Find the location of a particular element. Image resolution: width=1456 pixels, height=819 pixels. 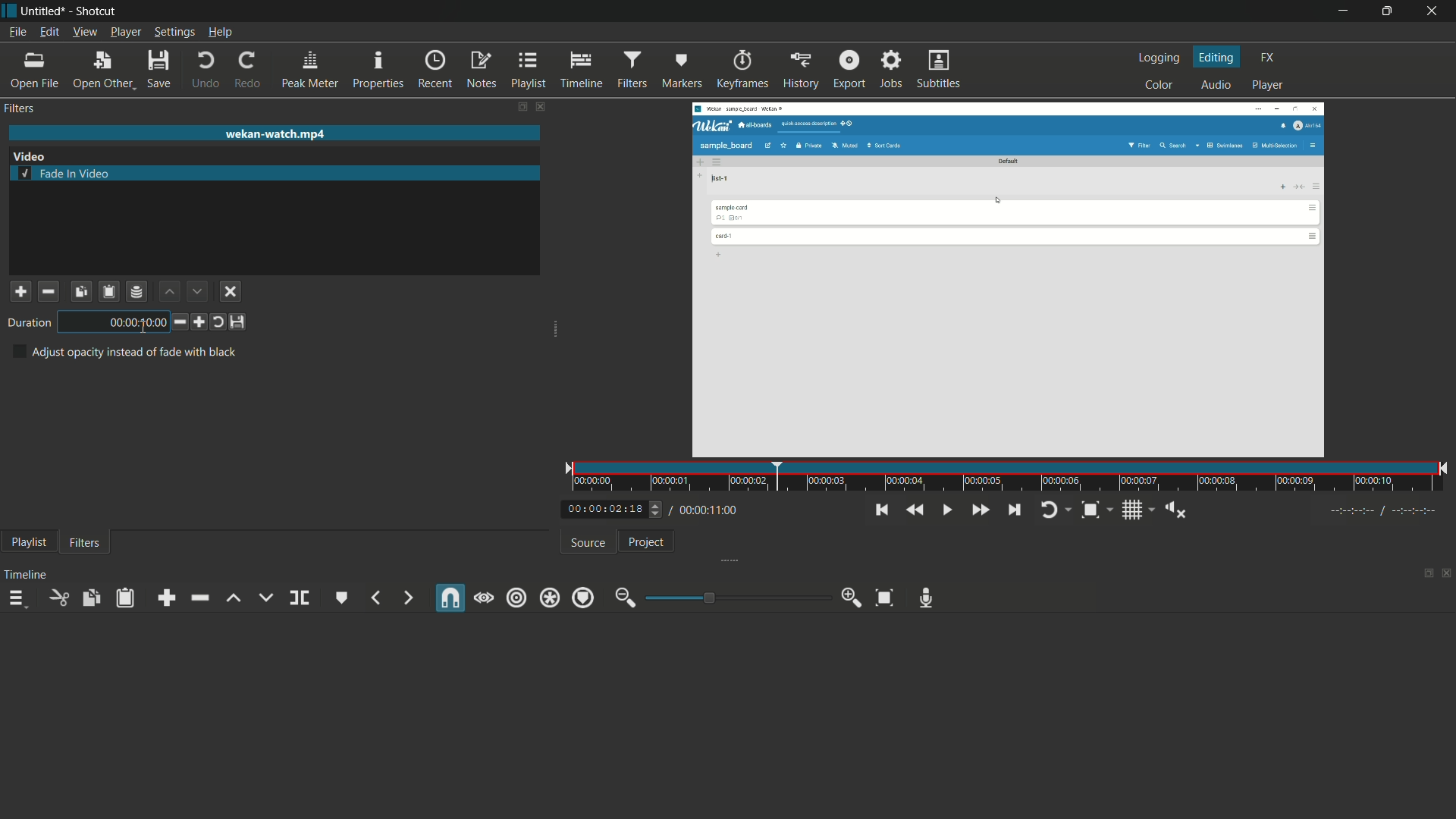

toggle zoom is located at coordinates (1090, 511).